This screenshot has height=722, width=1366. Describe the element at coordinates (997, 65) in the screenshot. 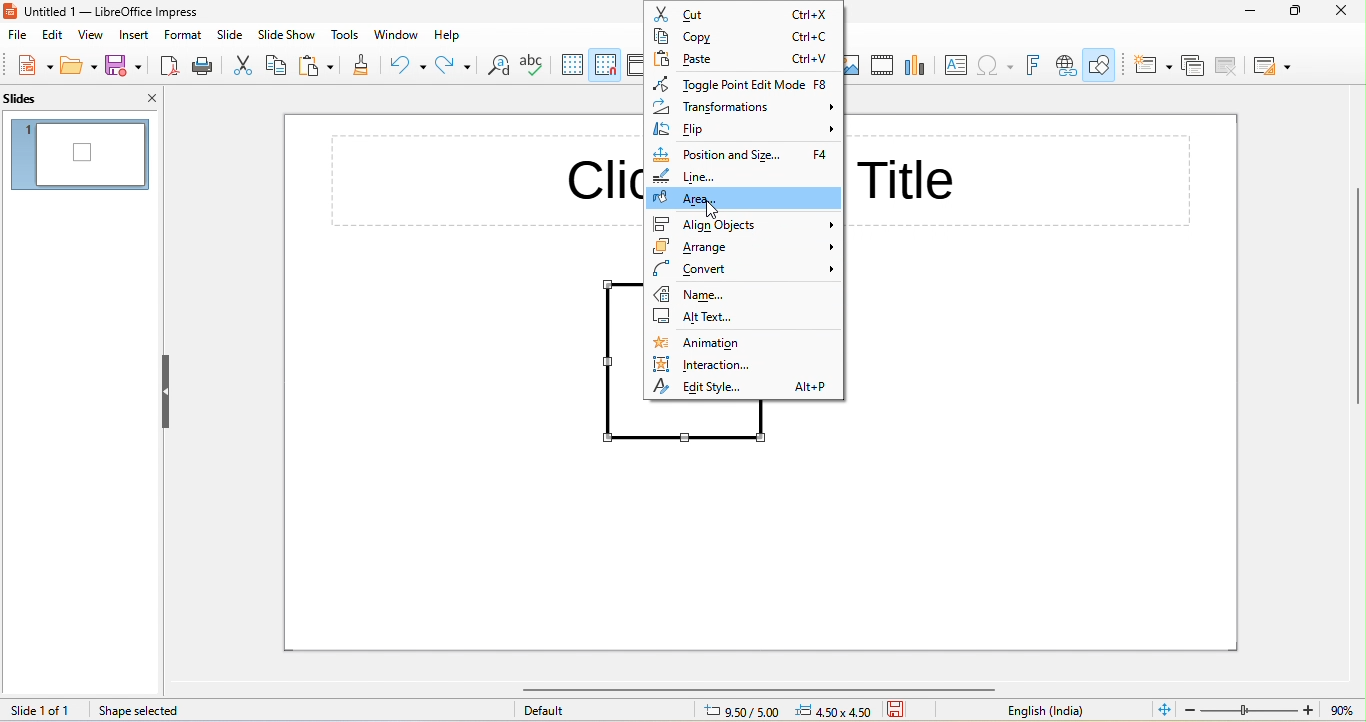

I see `insert special character` at that location.